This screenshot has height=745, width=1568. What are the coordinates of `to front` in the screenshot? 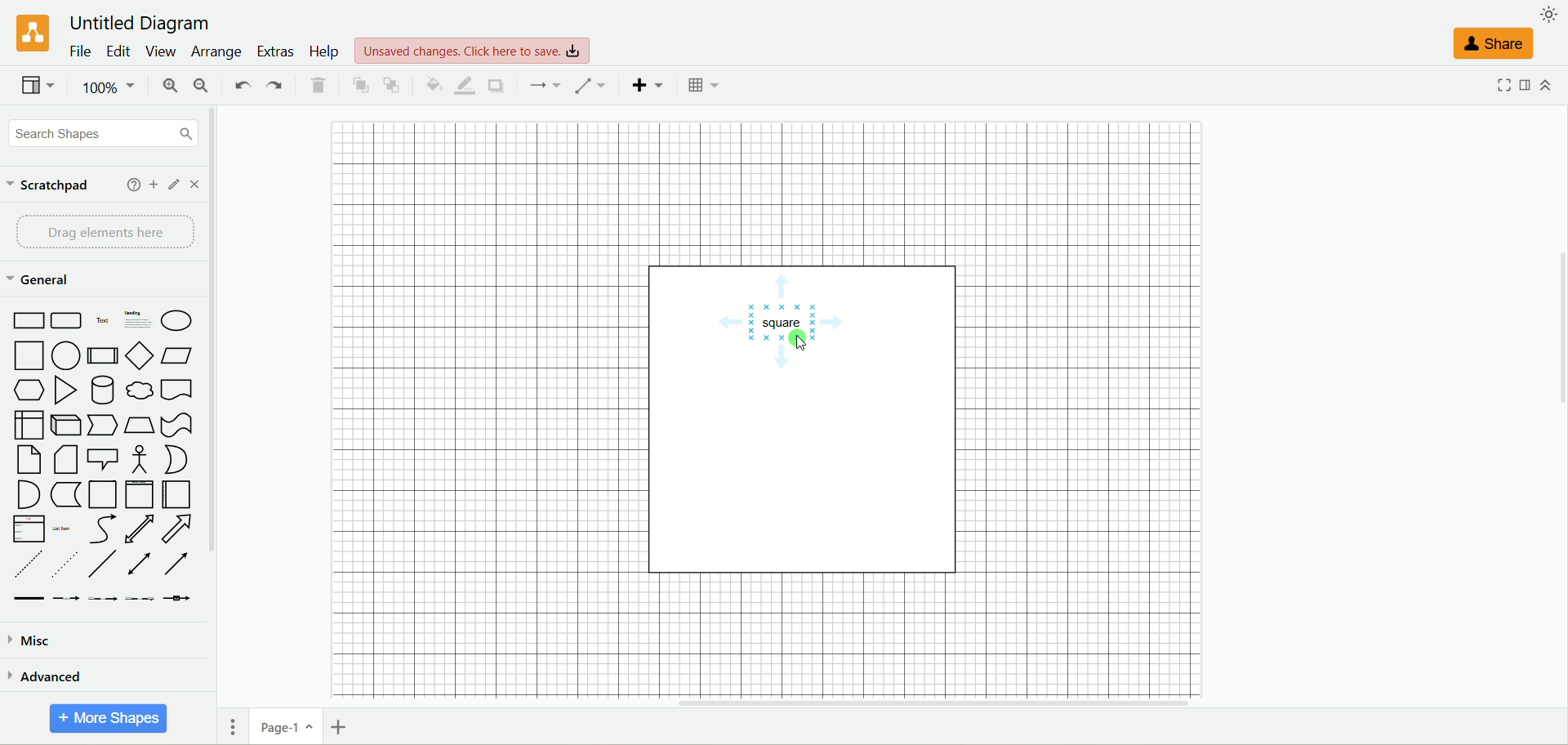 It's located at (361, 85).